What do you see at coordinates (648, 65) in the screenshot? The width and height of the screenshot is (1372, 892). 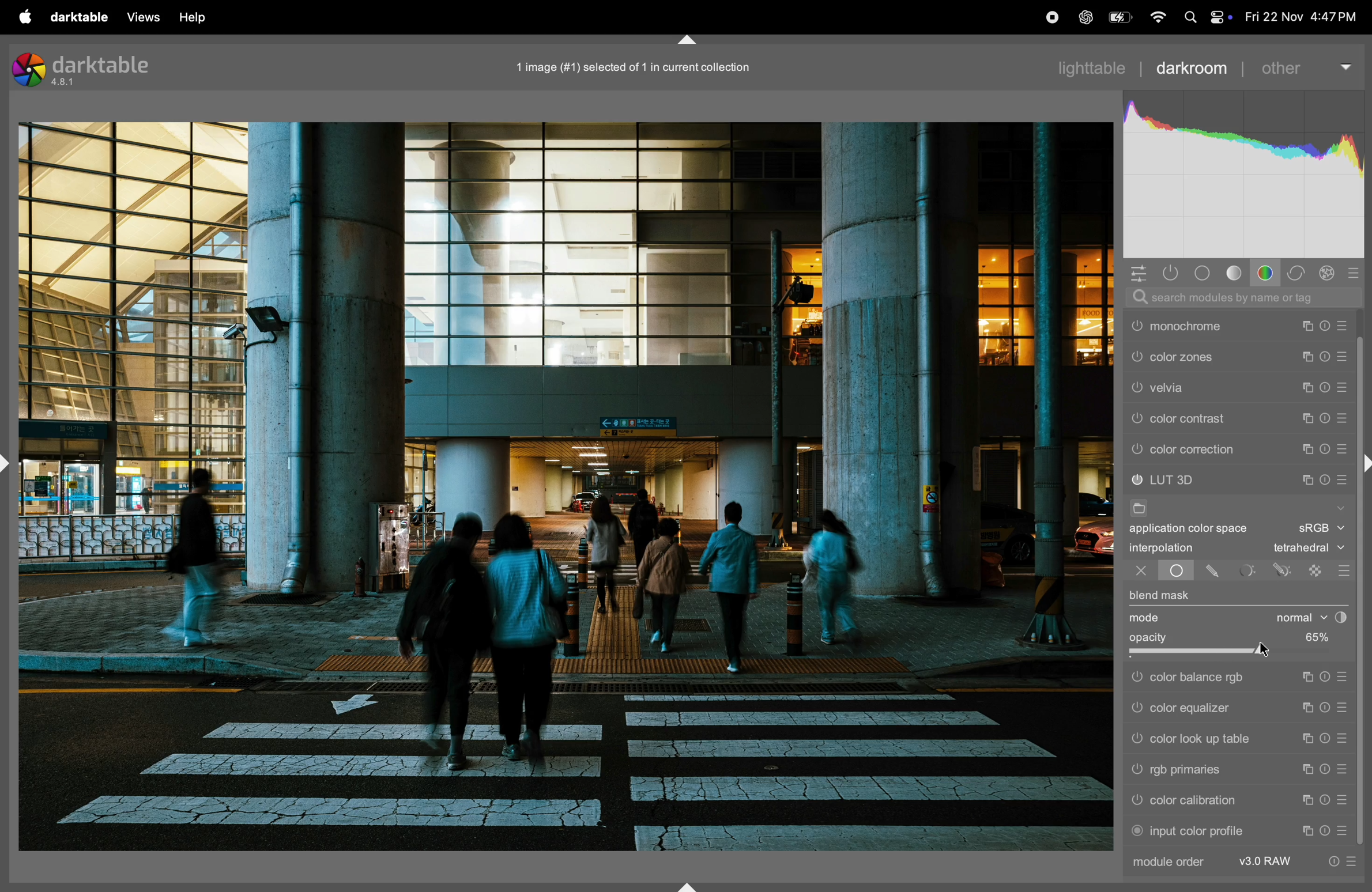 I see `image selected` at bounding box center [648, 65].